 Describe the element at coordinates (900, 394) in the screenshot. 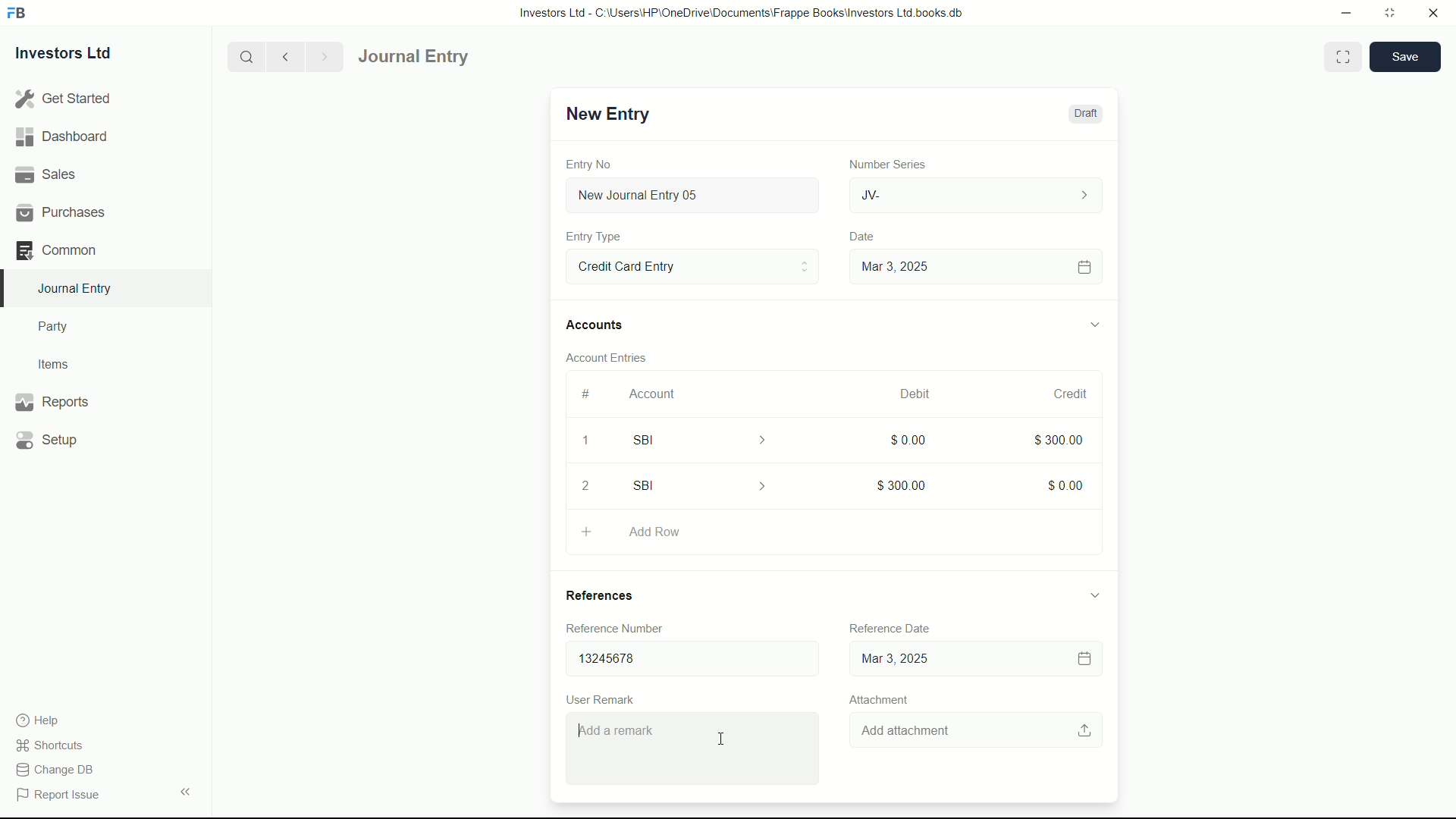

I see `March, 2025` at that location.